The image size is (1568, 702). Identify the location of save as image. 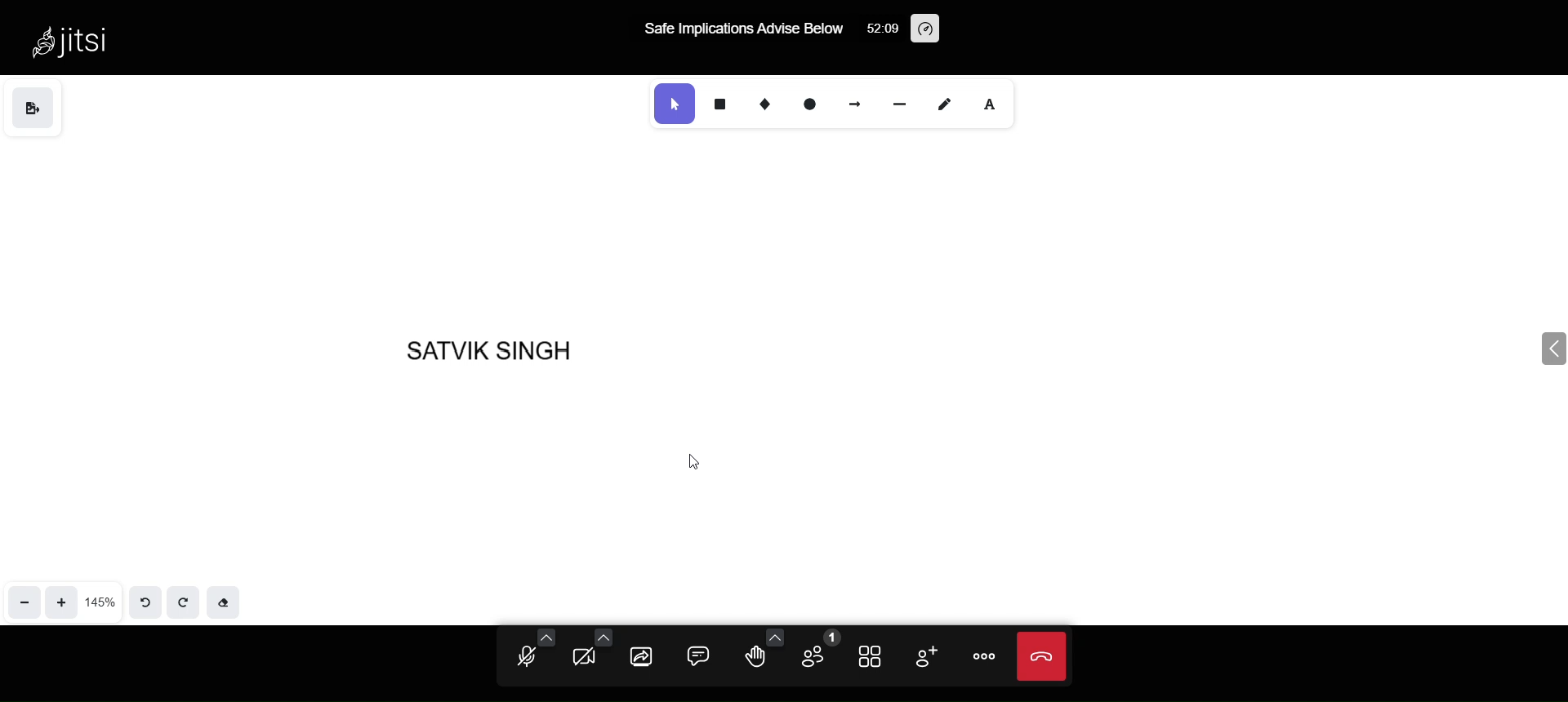
(33, 108).